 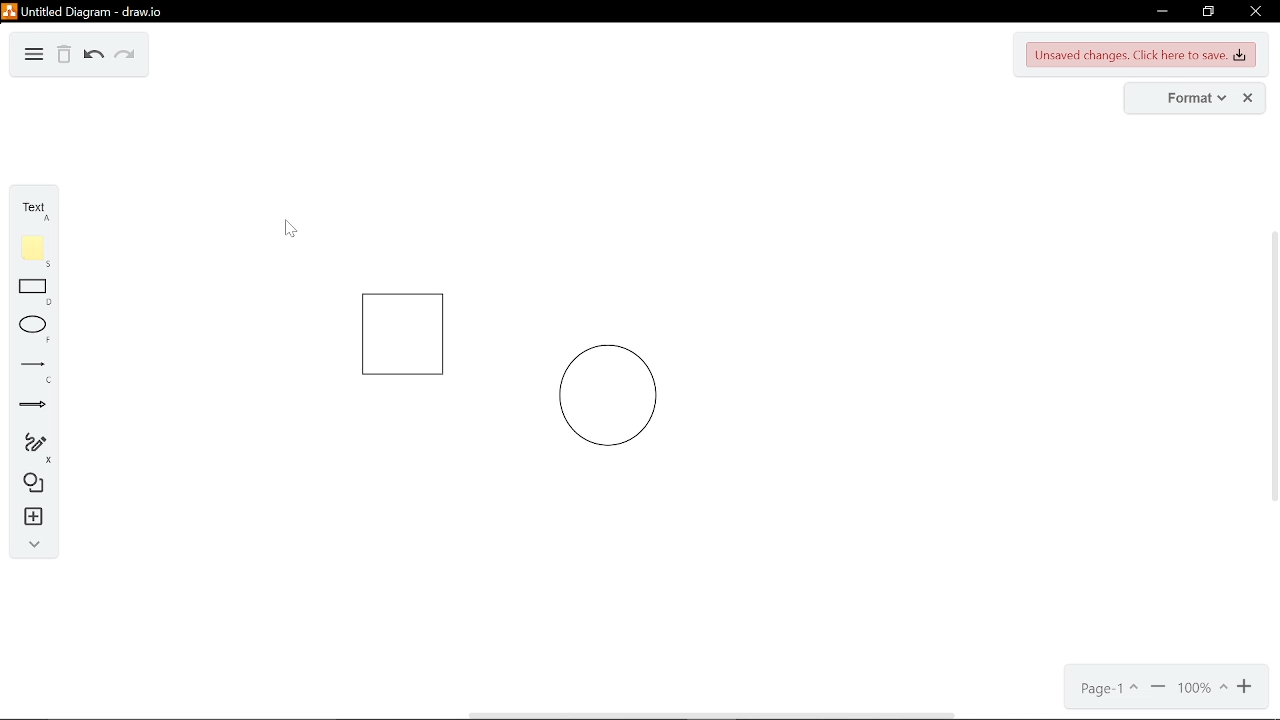 What do you see at coordinates (1207, 13) in the screenshot?
I see `restore down` at bounding box center [1207, 13].